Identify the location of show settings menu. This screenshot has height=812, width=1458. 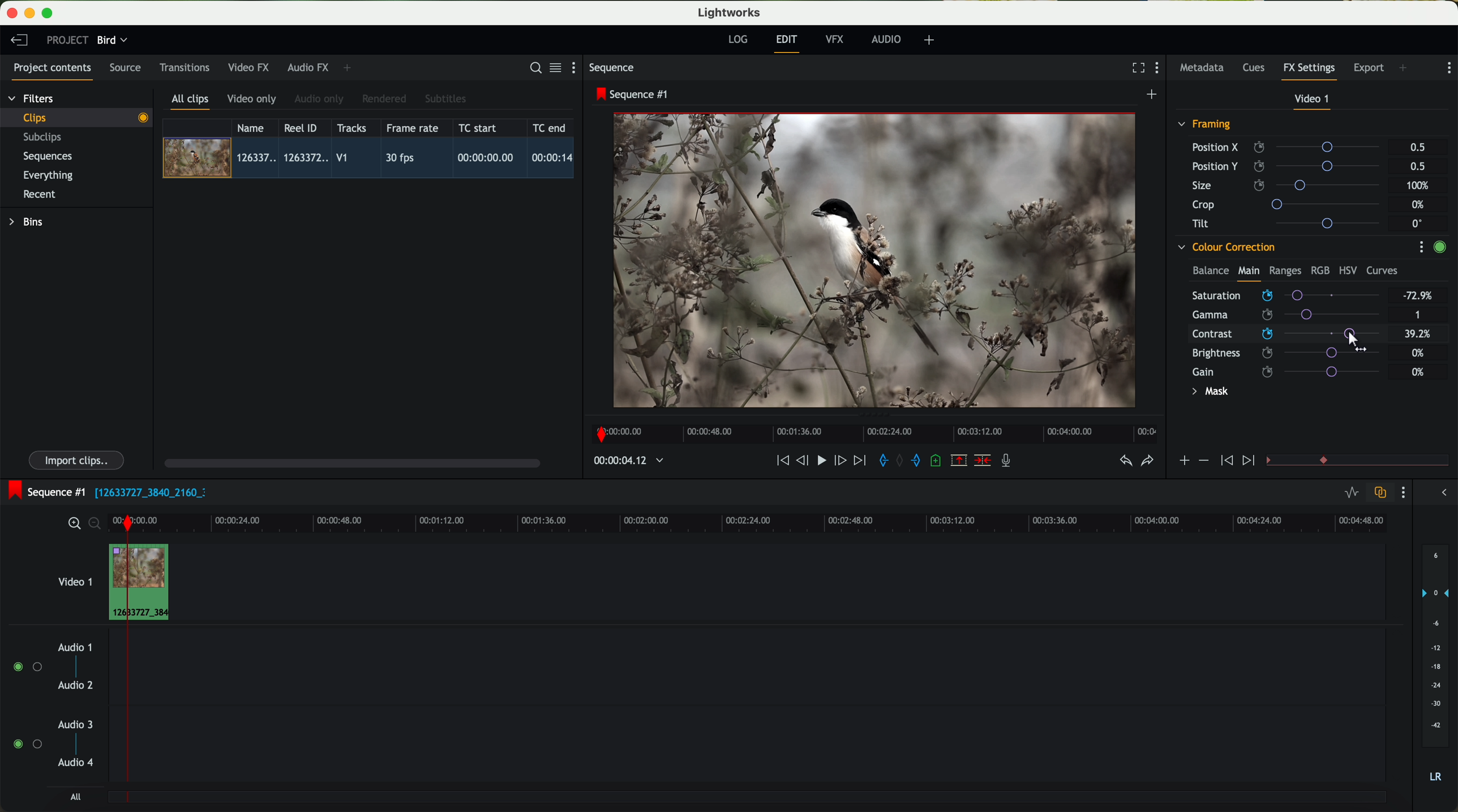
(578, 67).